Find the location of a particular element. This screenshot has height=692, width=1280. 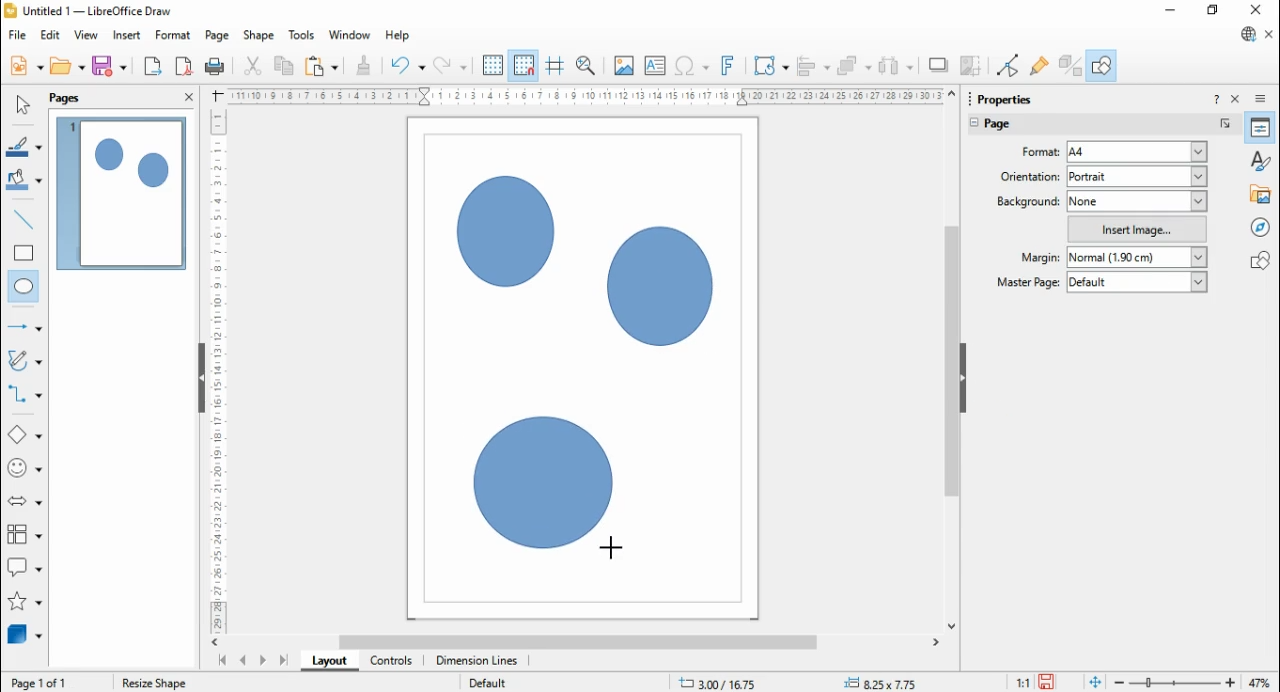

close document is located at coordinates (1270, 35).